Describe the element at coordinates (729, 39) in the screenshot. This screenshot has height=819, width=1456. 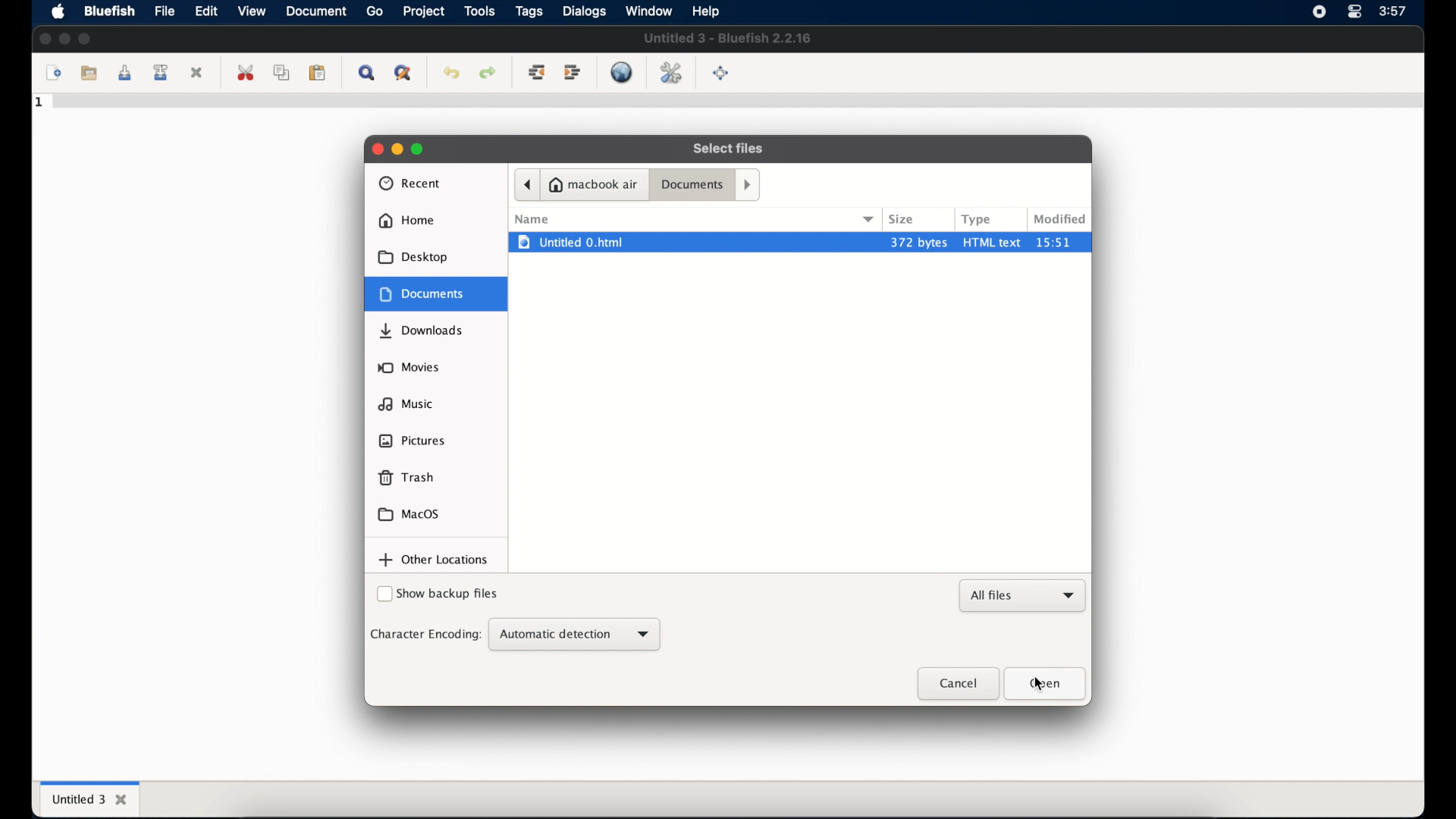
I see `Untitied 3 - Bluefish 2.2.16` at that location.